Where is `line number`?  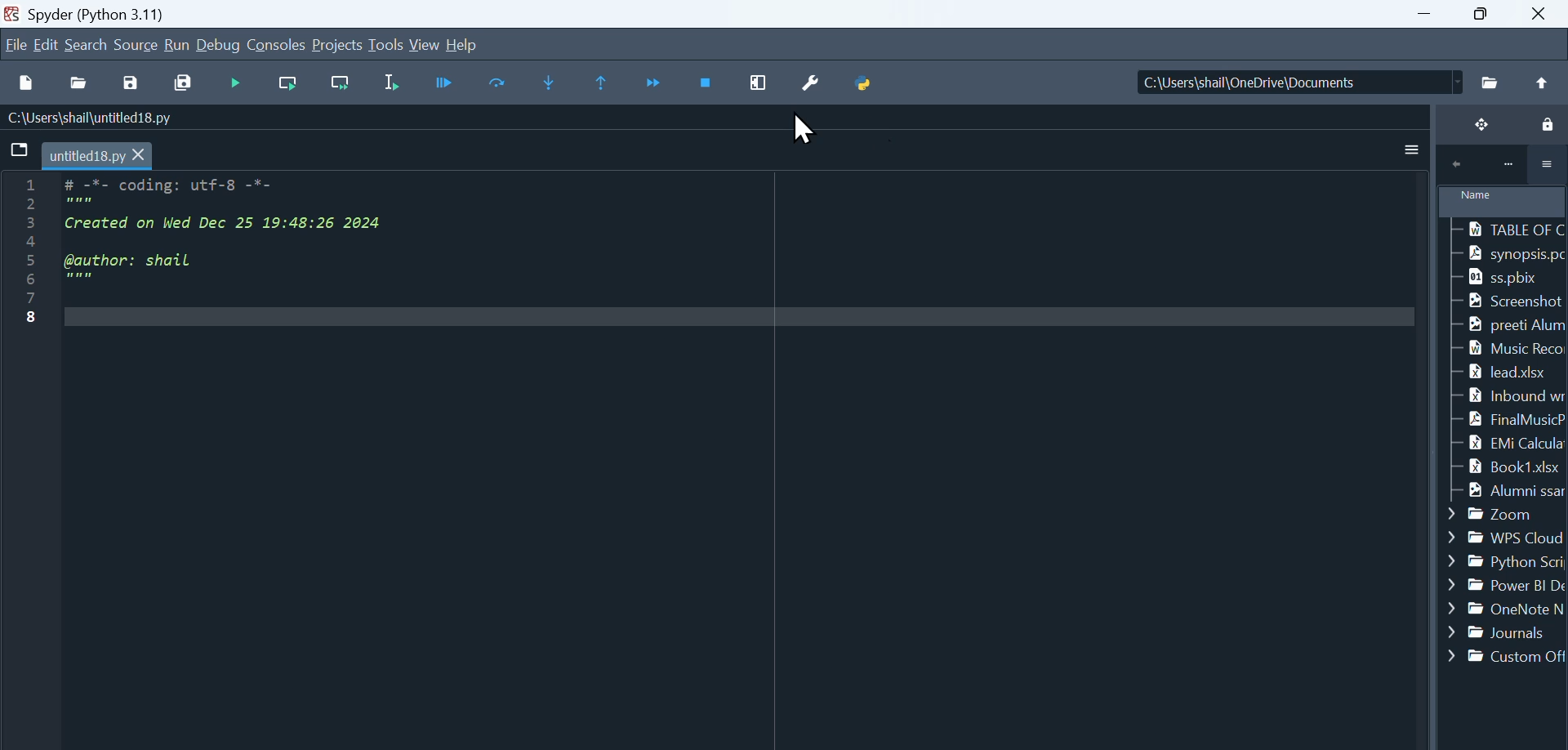 line number is located at coordinates (20, 350).